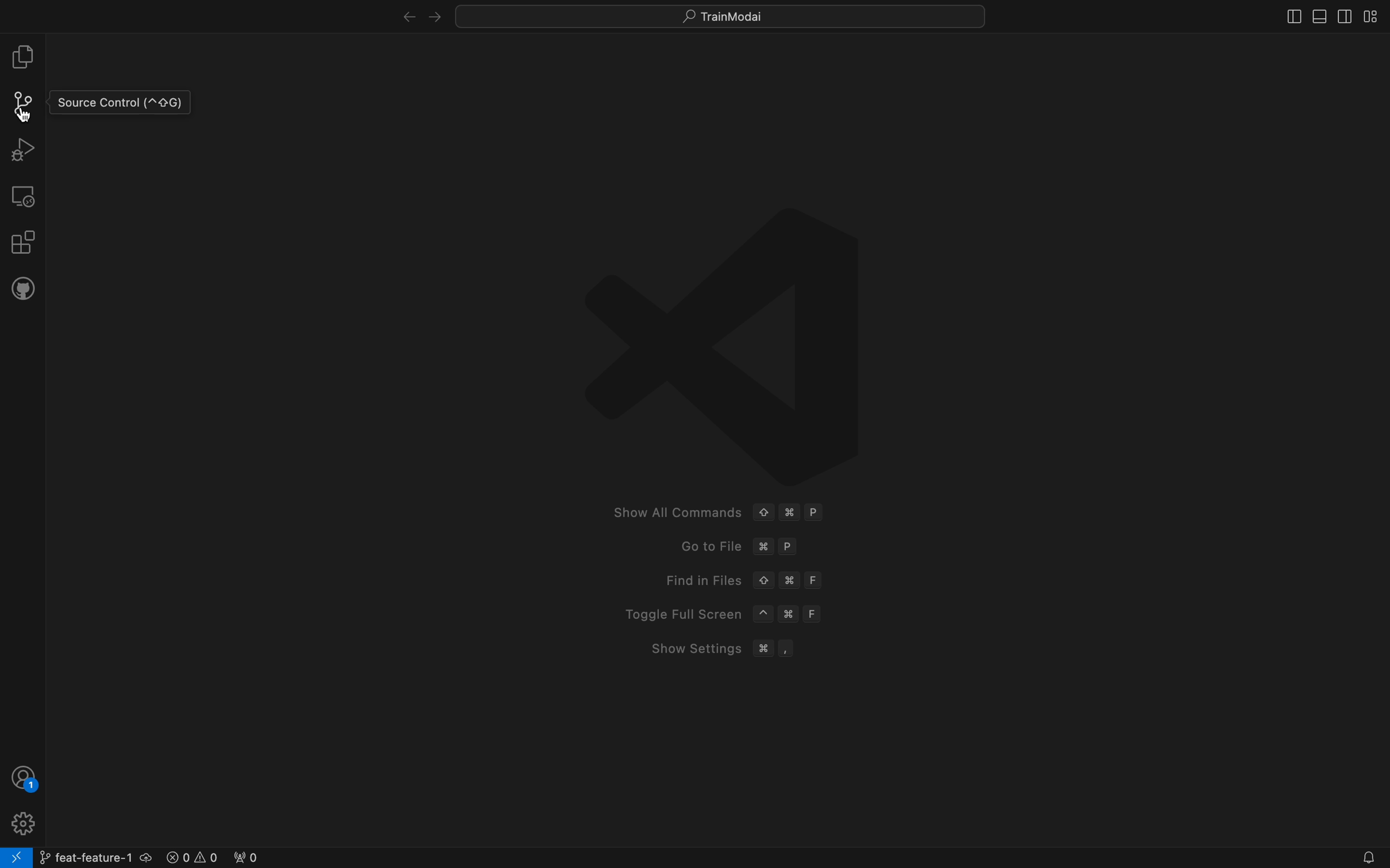 This screenshot has width=1390, height=868. What do you see at coordinates (790, 513) in the screenshot?
I see `Command` at bounding box center [790, 513].